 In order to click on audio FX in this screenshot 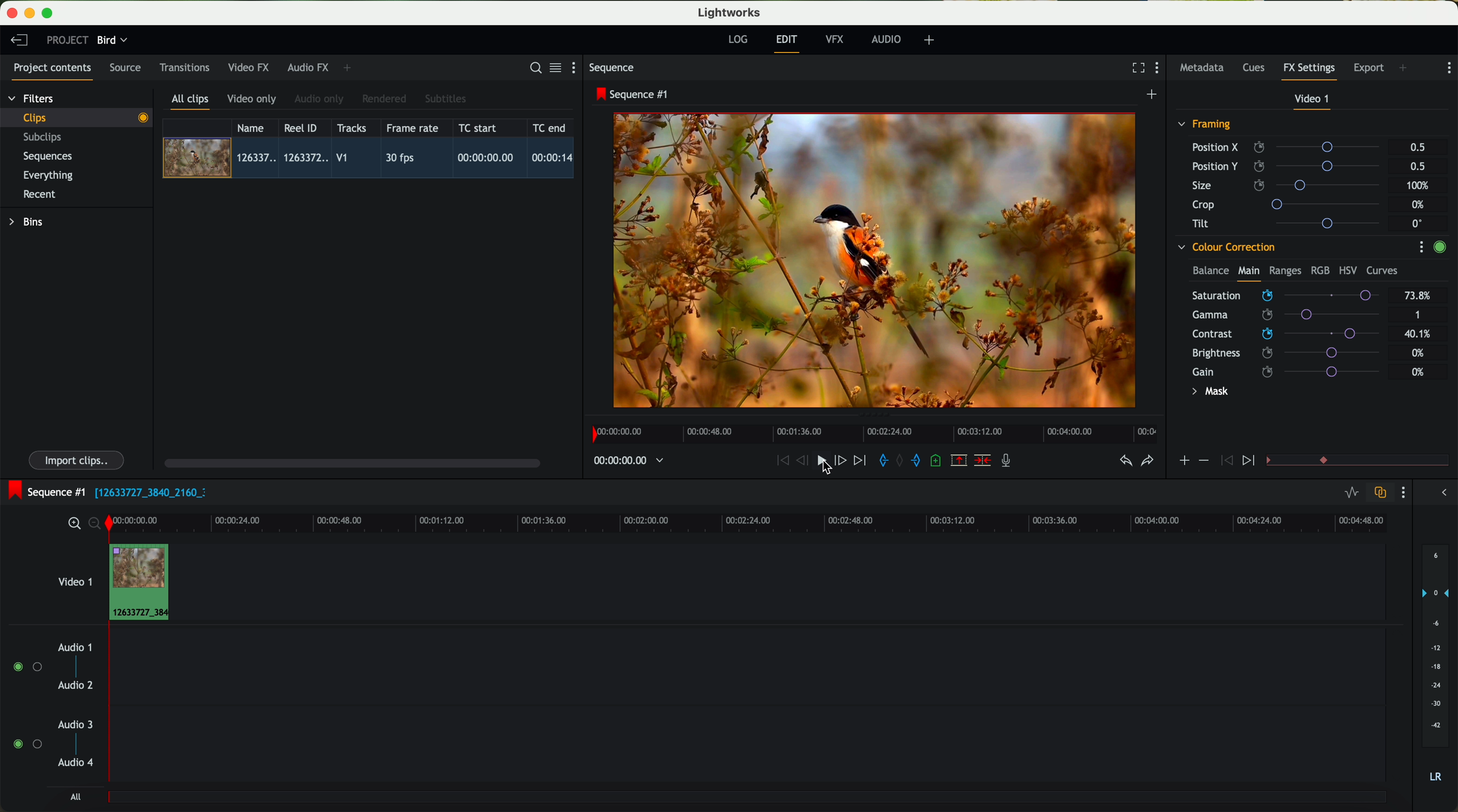, I will do `click(308, 67)`.